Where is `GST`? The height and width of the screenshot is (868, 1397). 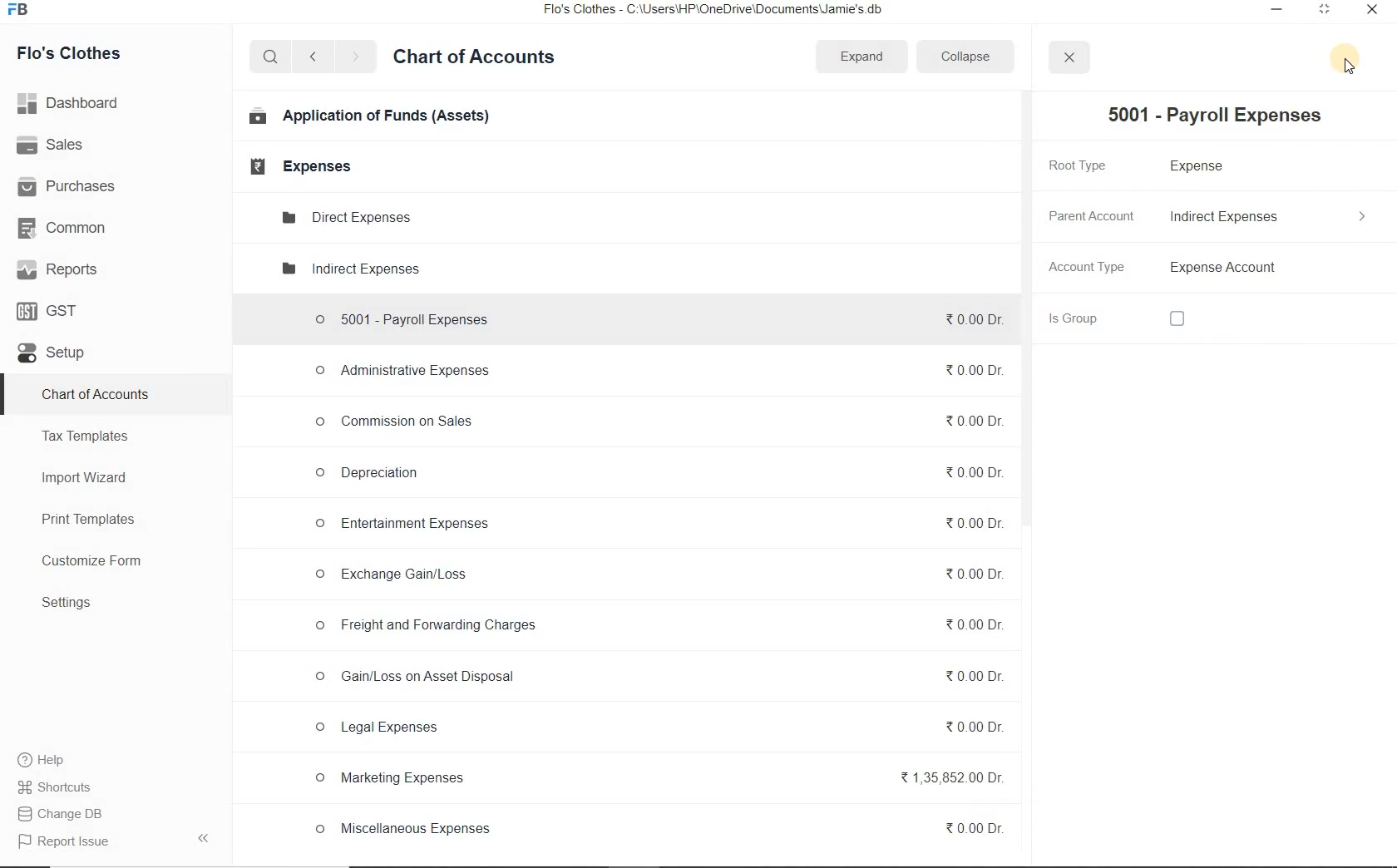 GST is located at coordinates (49, 310).